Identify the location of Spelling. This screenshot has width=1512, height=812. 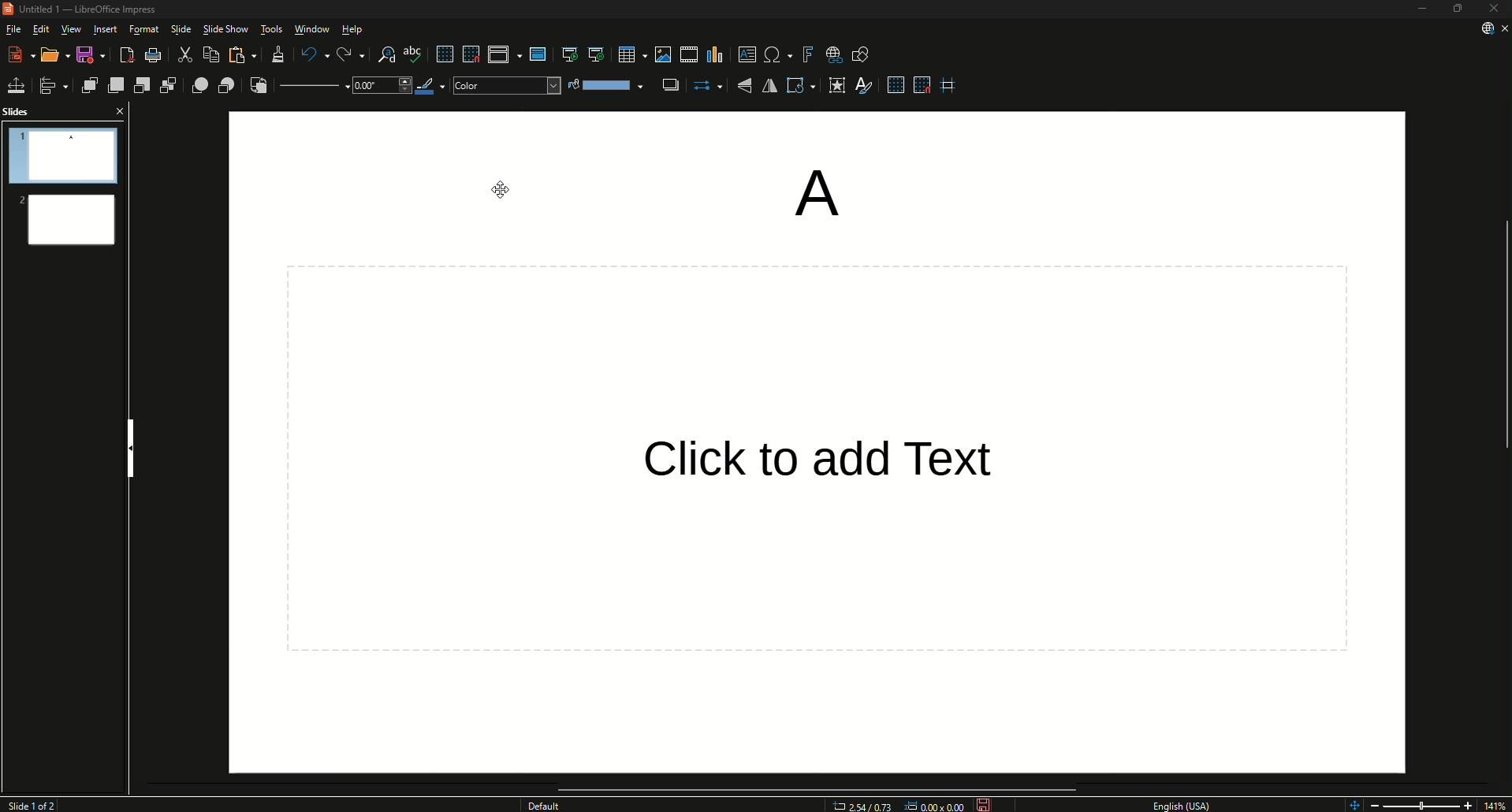
(412, 54).